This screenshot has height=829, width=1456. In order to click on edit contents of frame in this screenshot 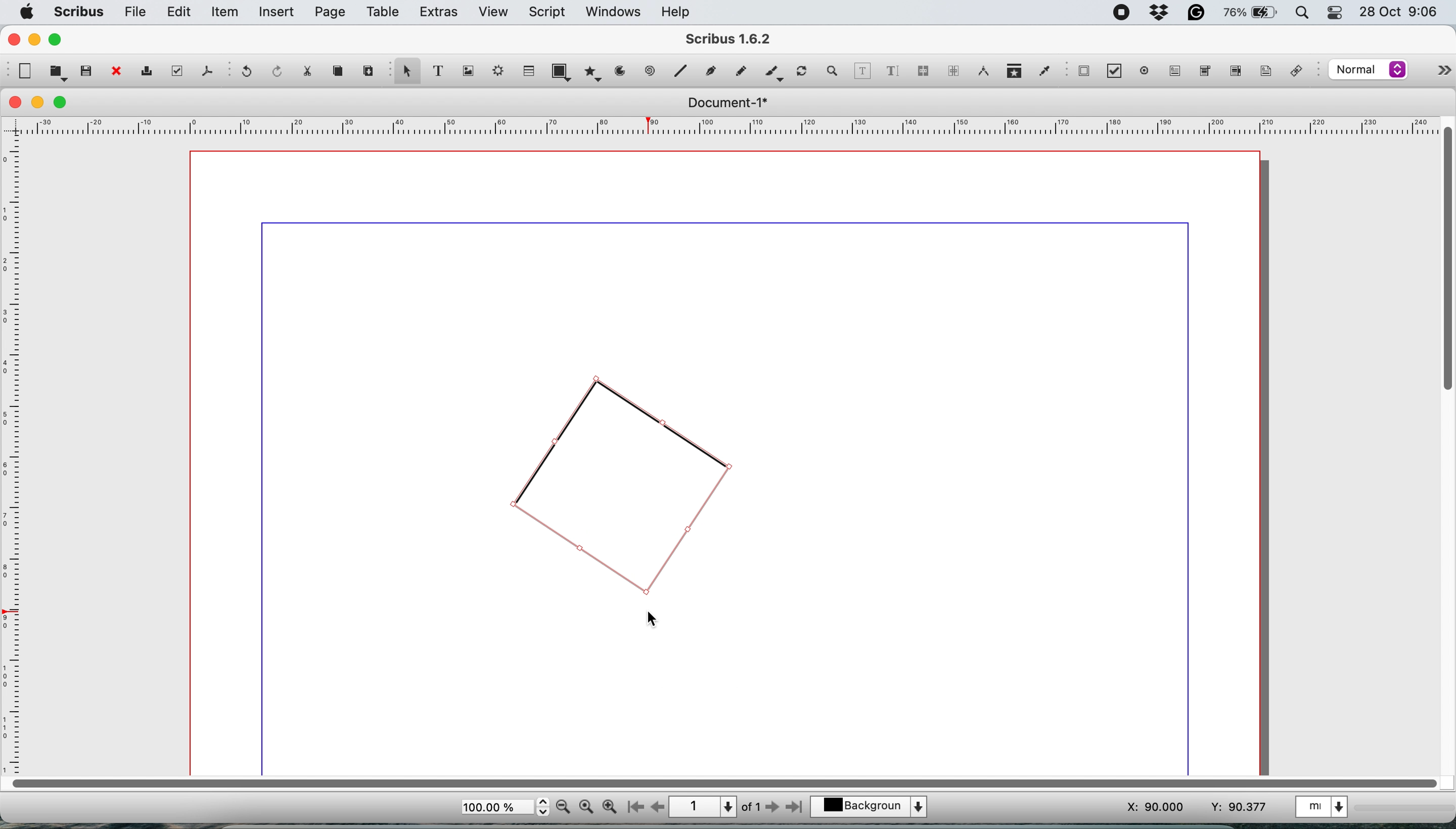, I will do `click(863, 71)`.